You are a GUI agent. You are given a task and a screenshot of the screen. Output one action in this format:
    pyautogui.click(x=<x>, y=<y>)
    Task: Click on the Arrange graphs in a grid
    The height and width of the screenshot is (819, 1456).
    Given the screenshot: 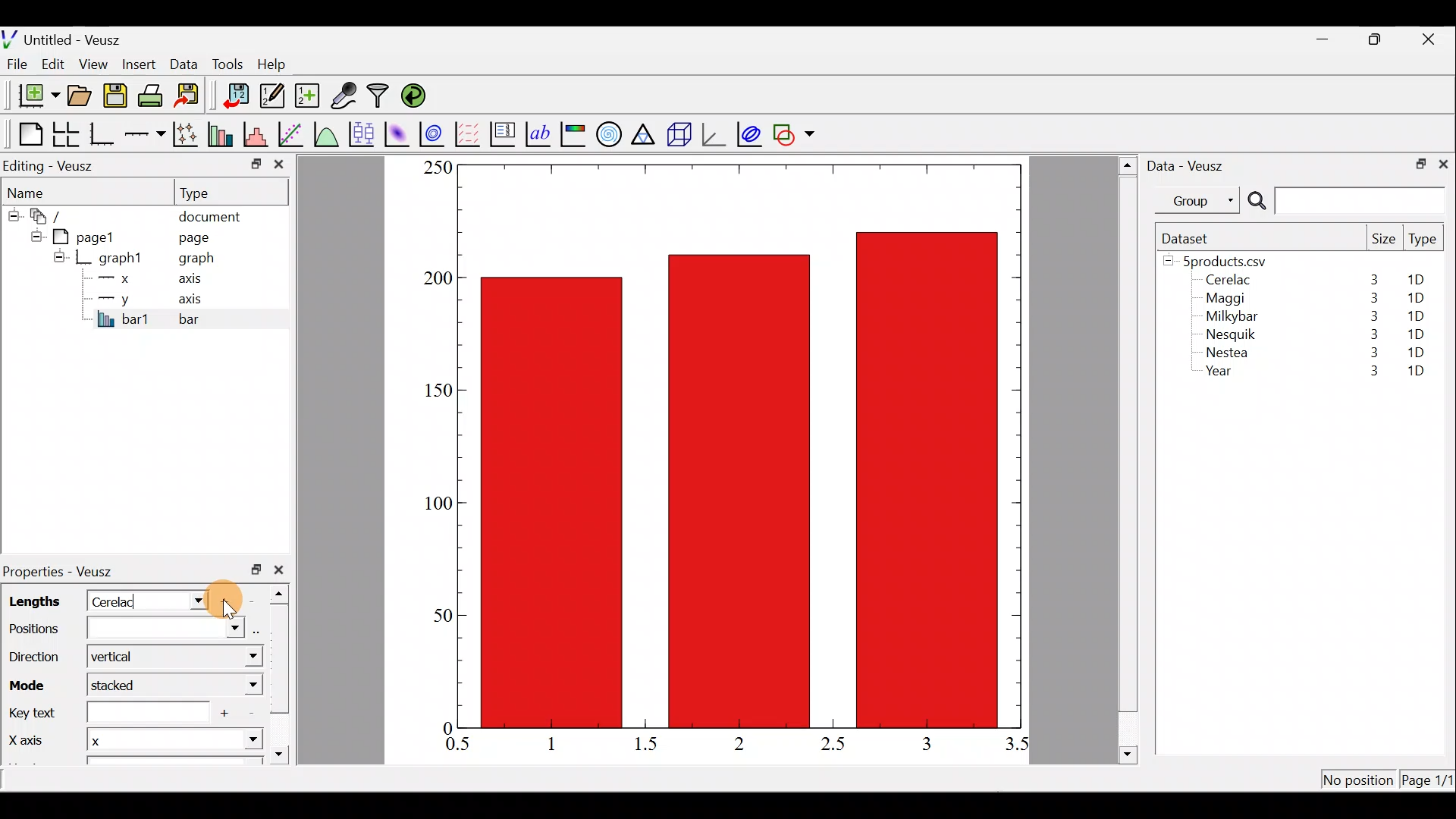 What is the action you would take?
    pyautogui.click(x=65, y=134)
    